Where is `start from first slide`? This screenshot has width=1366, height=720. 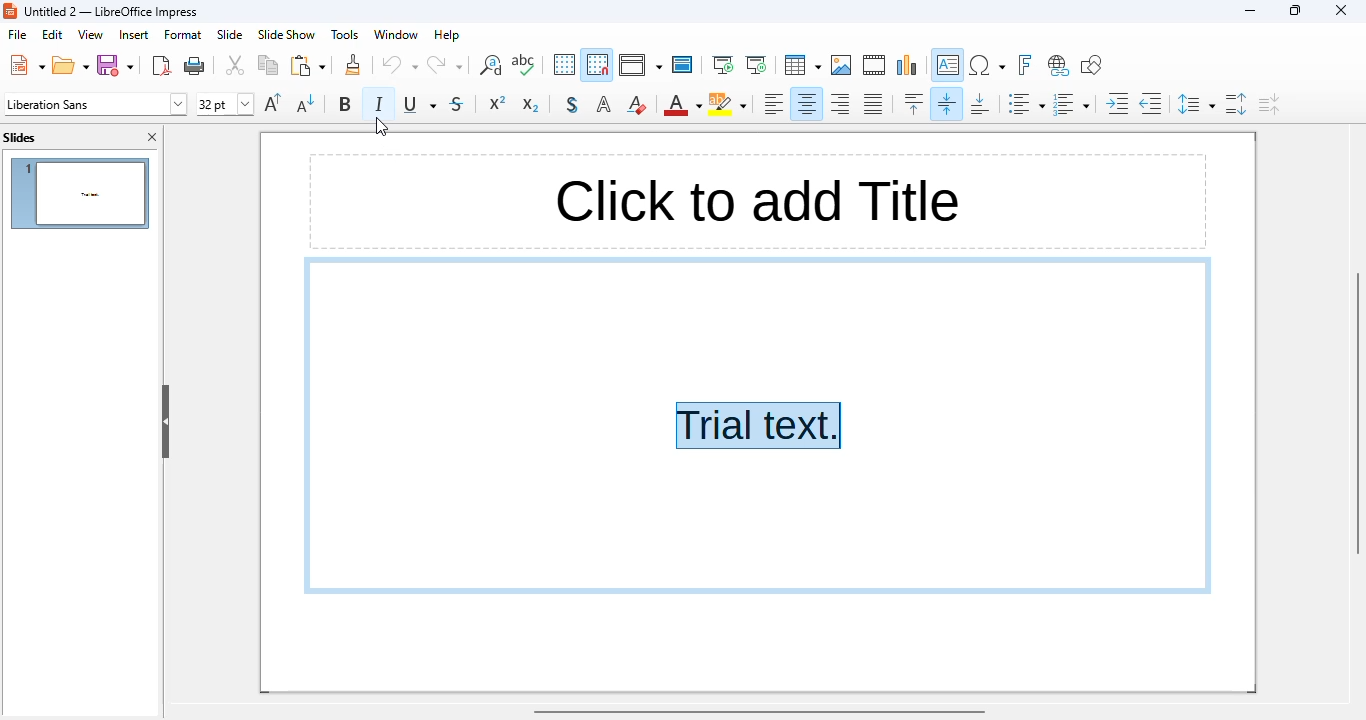 start from first slide is located at coordinates (724, 65).